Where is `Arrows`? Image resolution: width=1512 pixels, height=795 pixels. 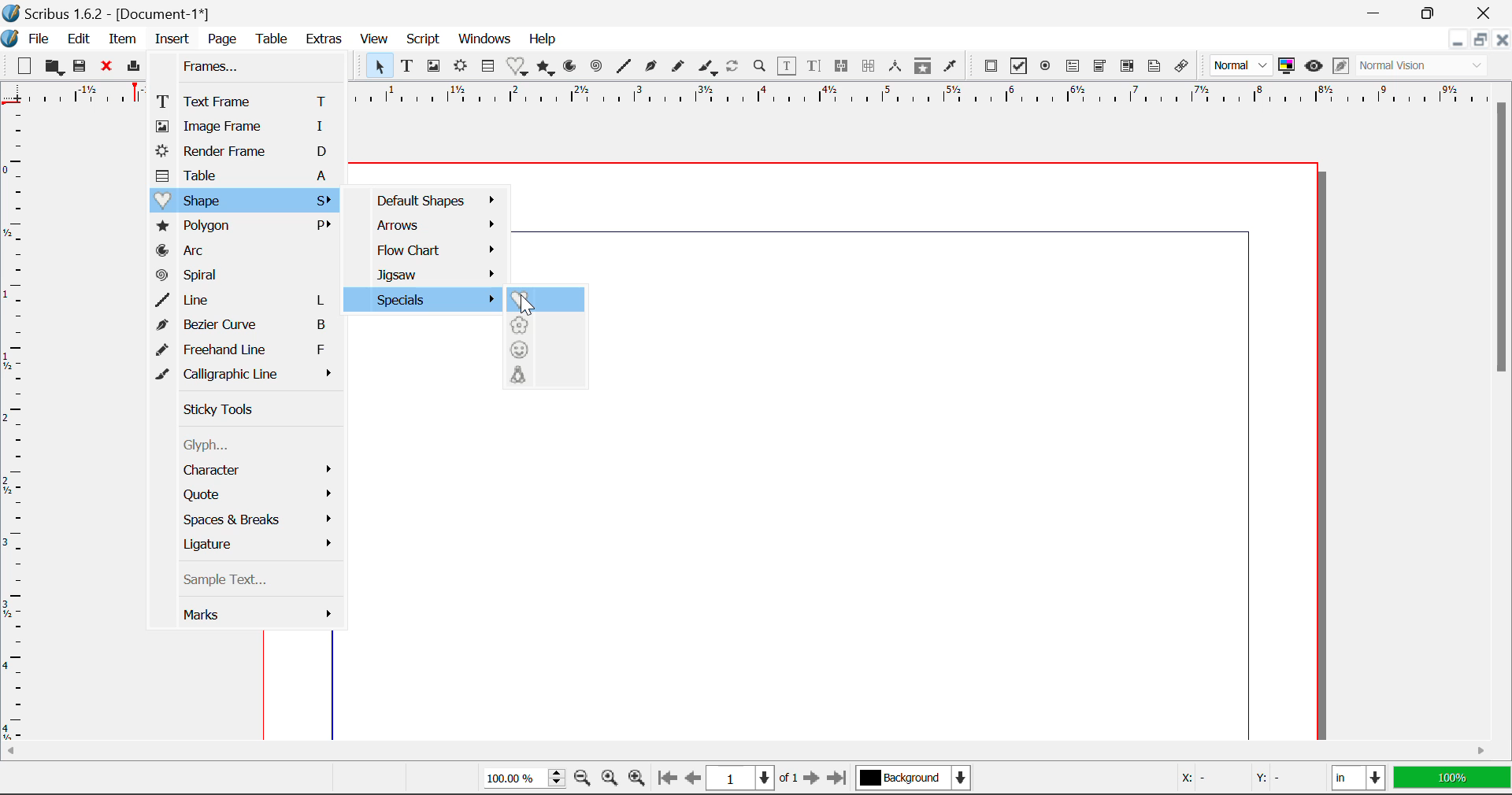 Arrows is located at coordinates (427, 225).